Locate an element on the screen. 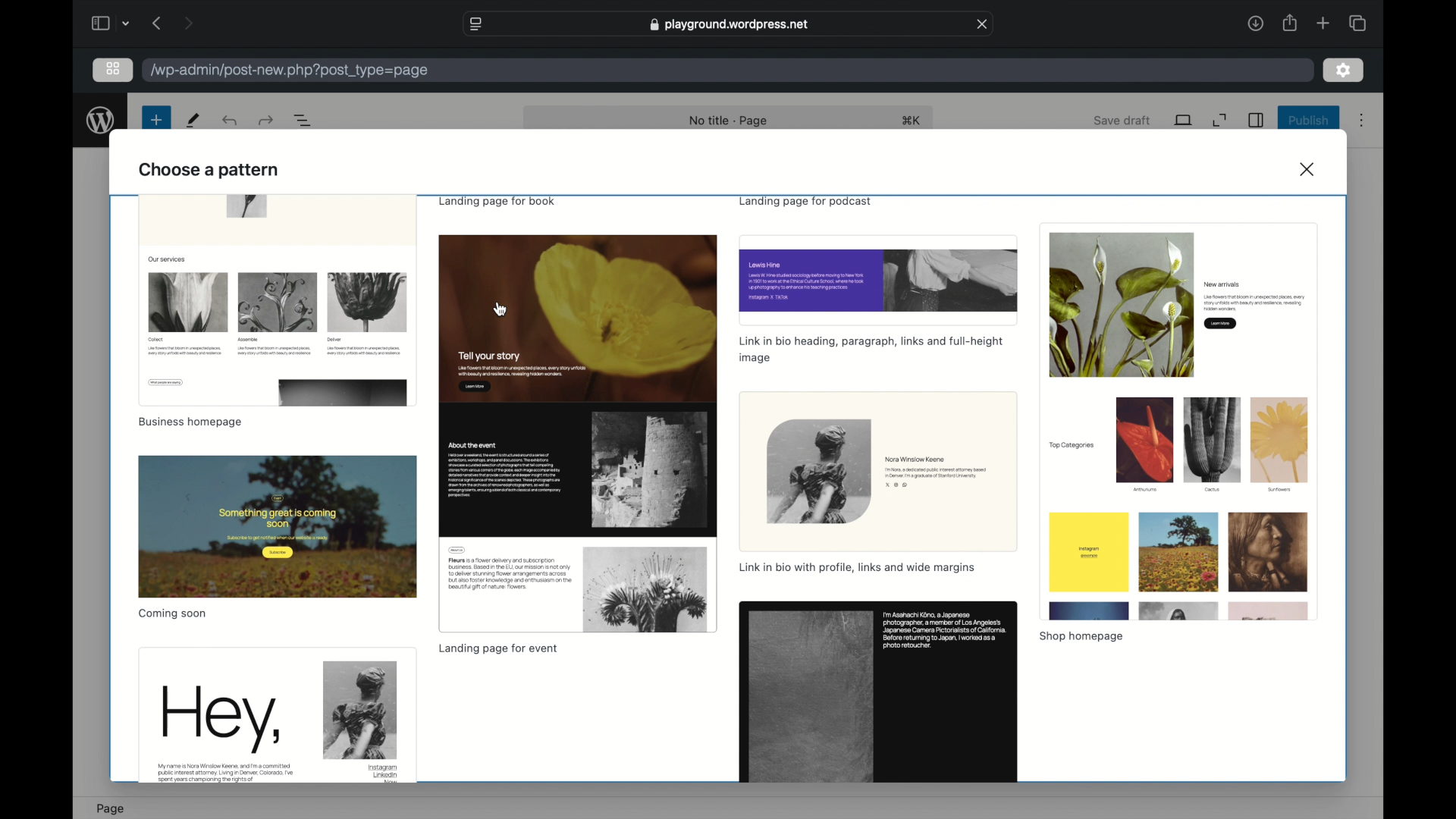  share is located at coordinates (1288, 22).